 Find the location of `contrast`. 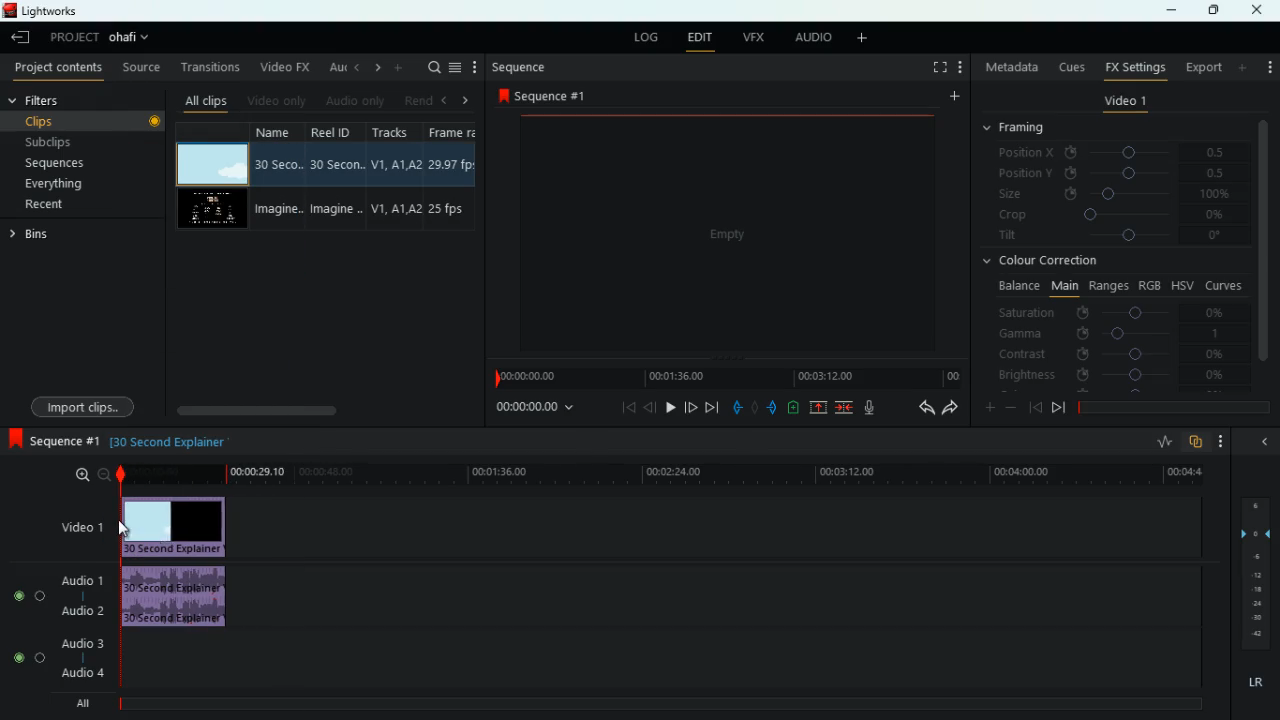

contrast is located at coordinates (1110, 355).